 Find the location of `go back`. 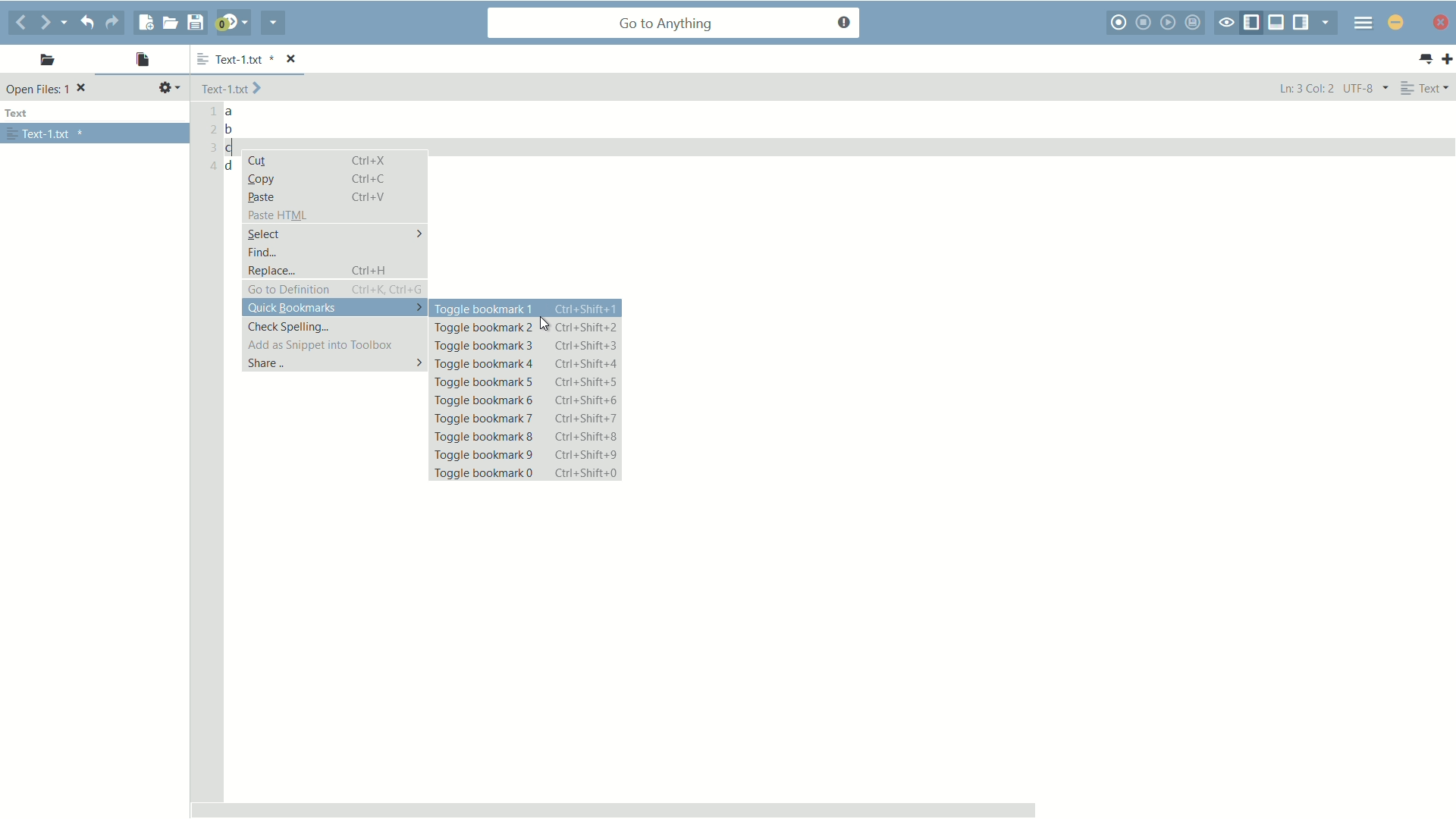

go back is located at coordinates (20, 22).